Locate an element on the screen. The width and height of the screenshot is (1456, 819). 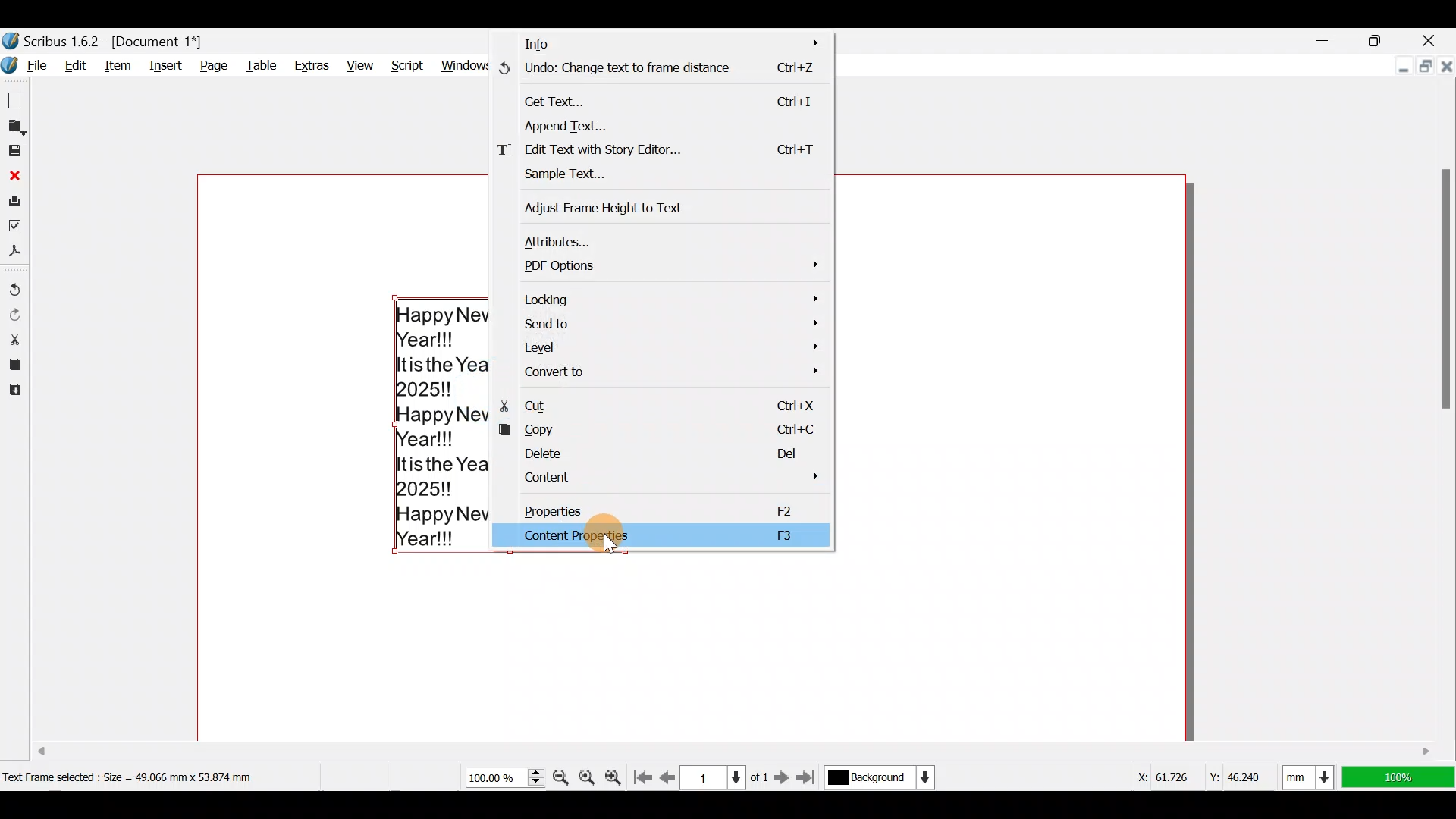
Level is located at coordinates (665, 348).